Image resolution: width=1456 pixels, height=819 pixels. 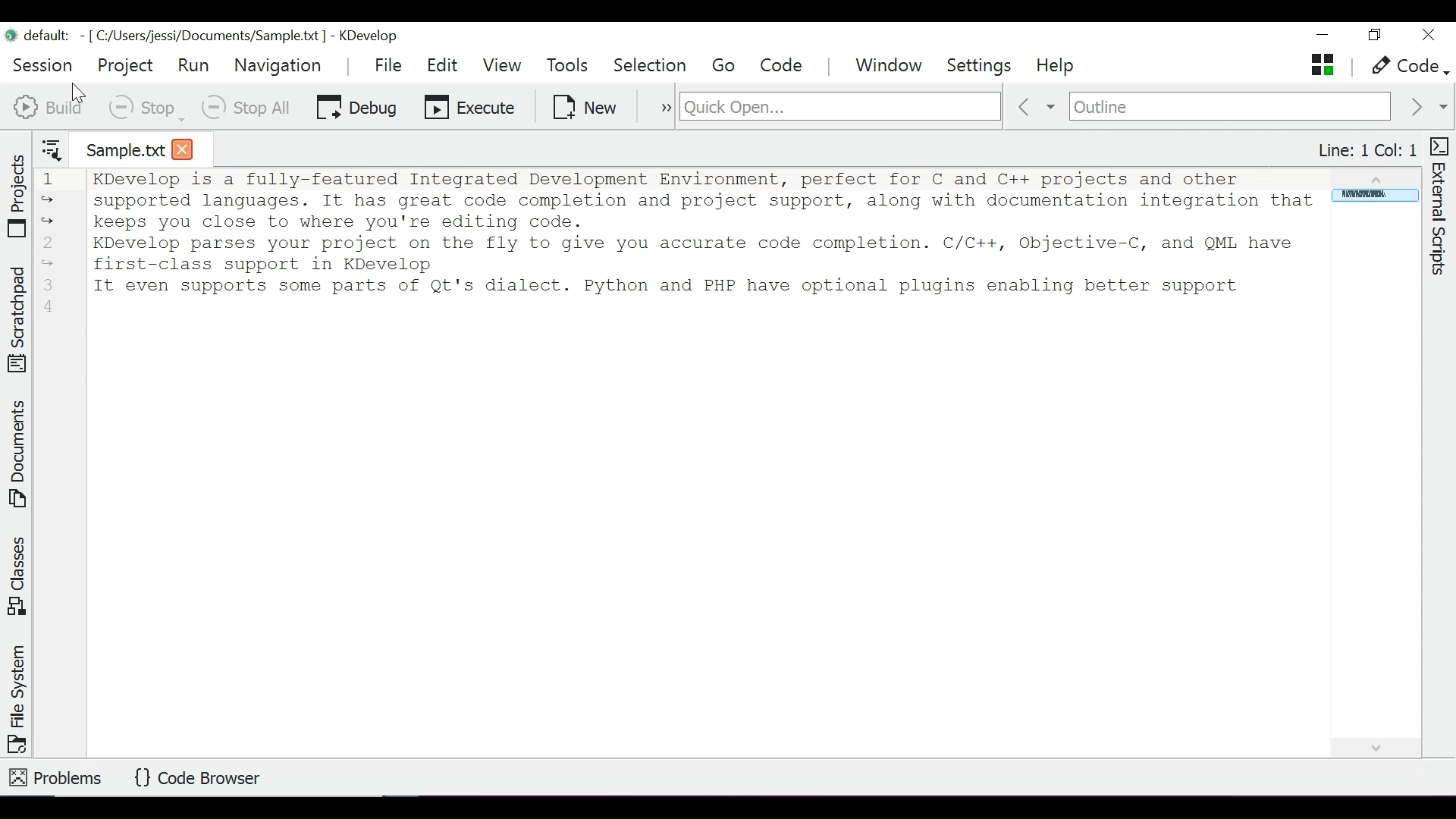 What do you see at coordinates (1232, 106) in the screenshot?
I see `Outline` at bounding box center [1232, 106].